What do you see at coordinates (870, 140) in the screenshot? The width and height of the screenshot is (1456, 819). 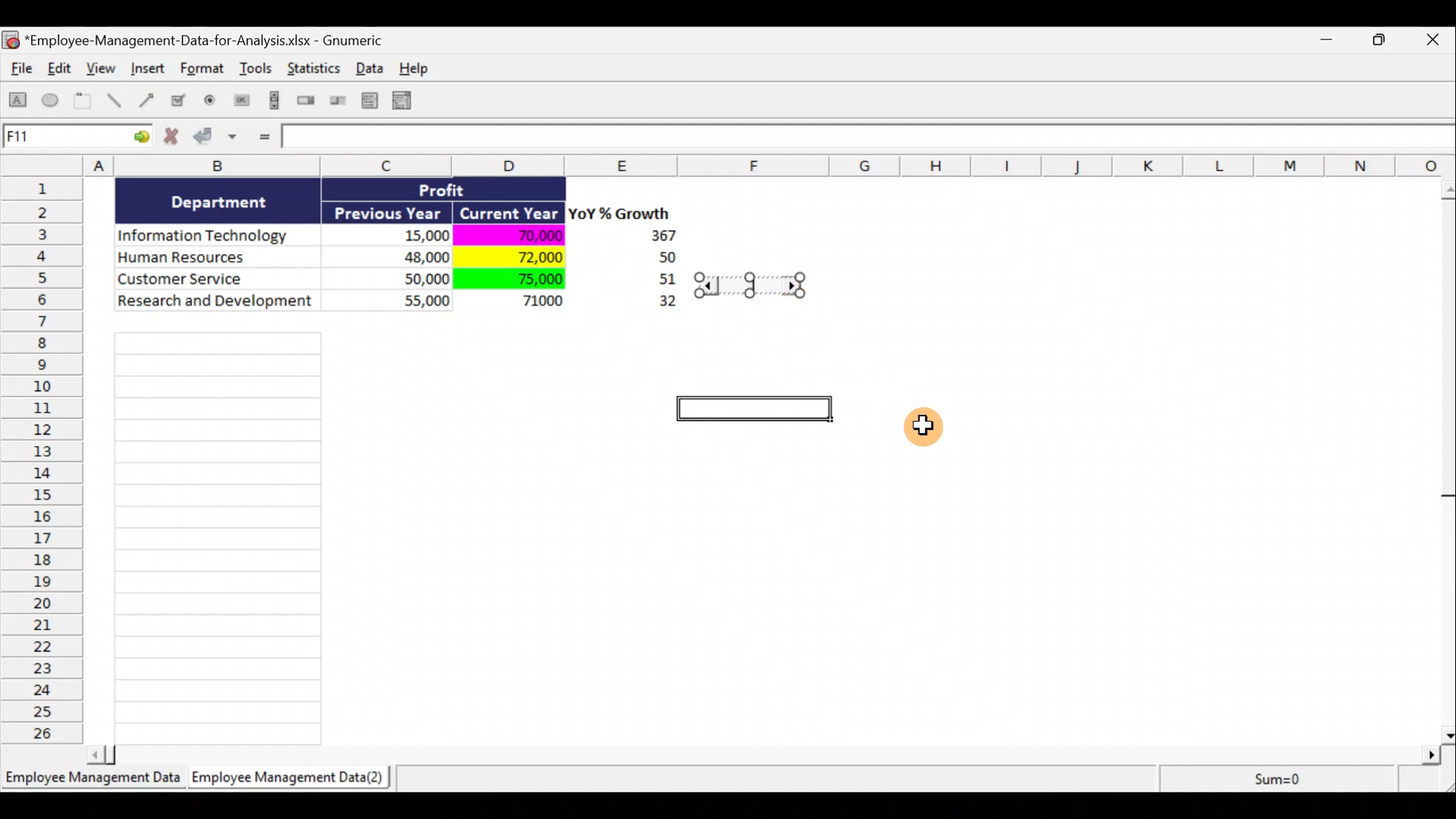 I see `Formula bar` at bounding box center [870, 140].